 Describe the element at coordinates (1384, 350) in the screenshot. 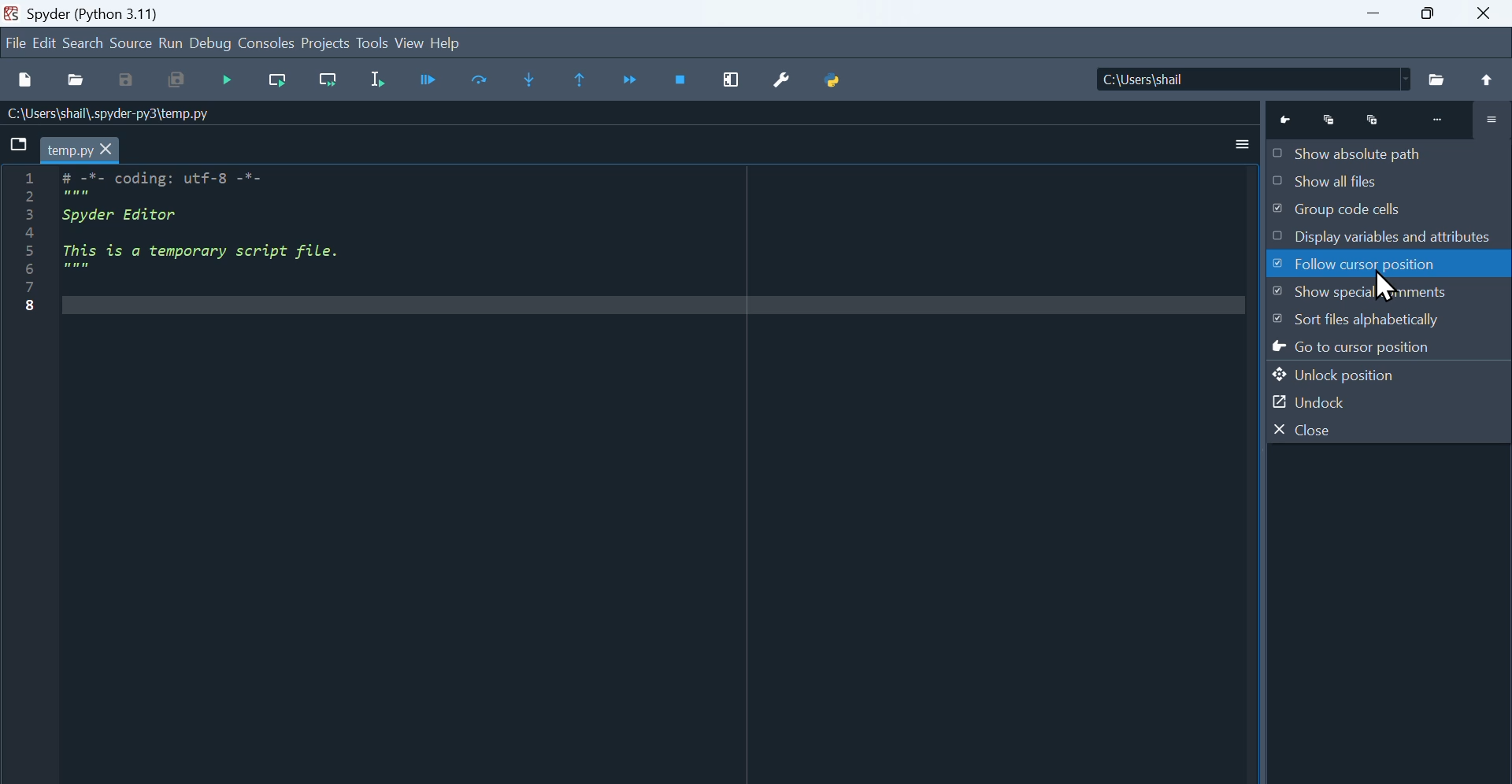

I see `Go to cursor position` at that location.